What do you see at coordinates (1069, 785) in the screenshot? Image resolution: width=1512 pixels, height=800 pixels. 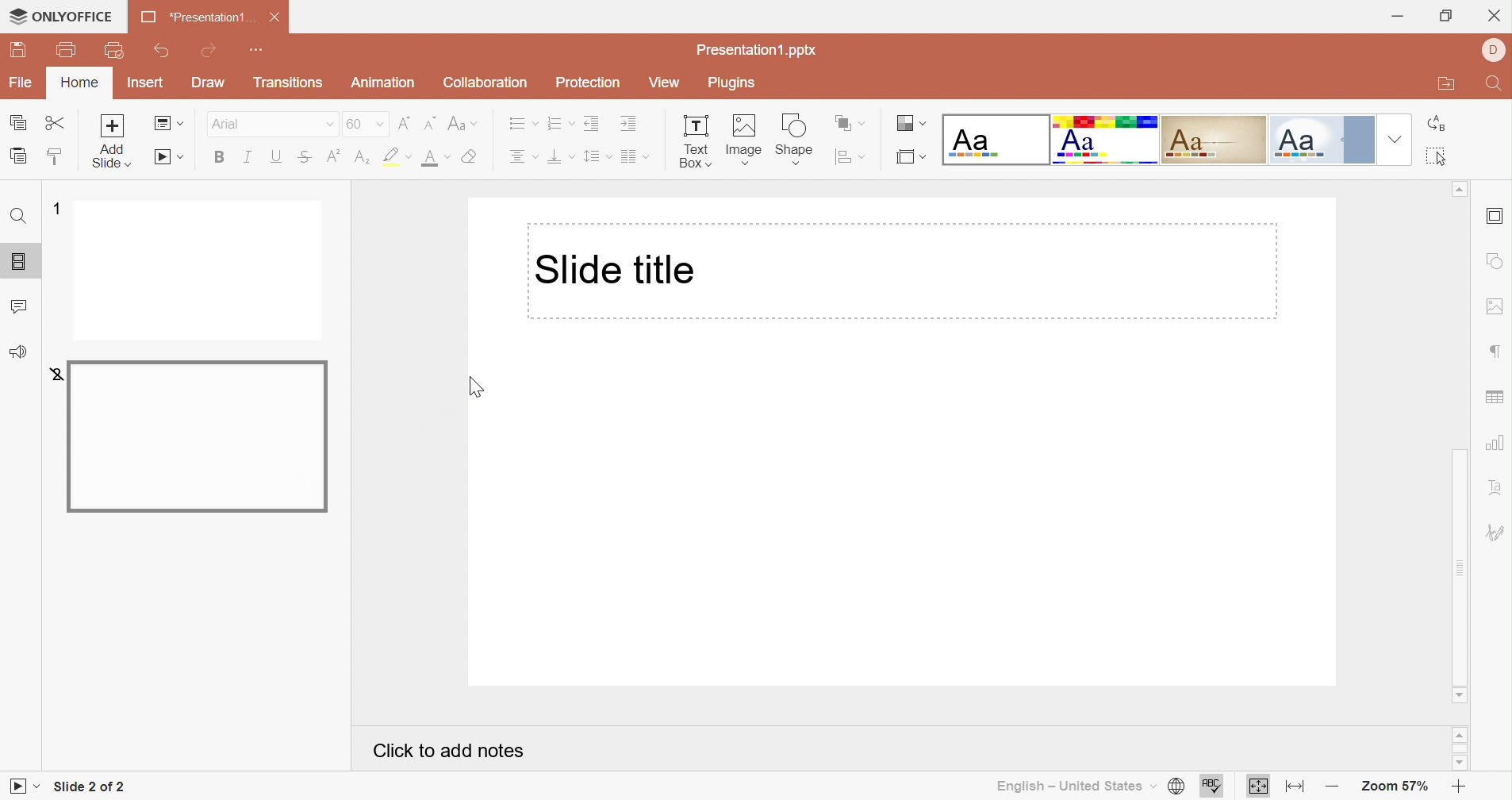 I see `English - United States` at bounding box center [1069, 785].